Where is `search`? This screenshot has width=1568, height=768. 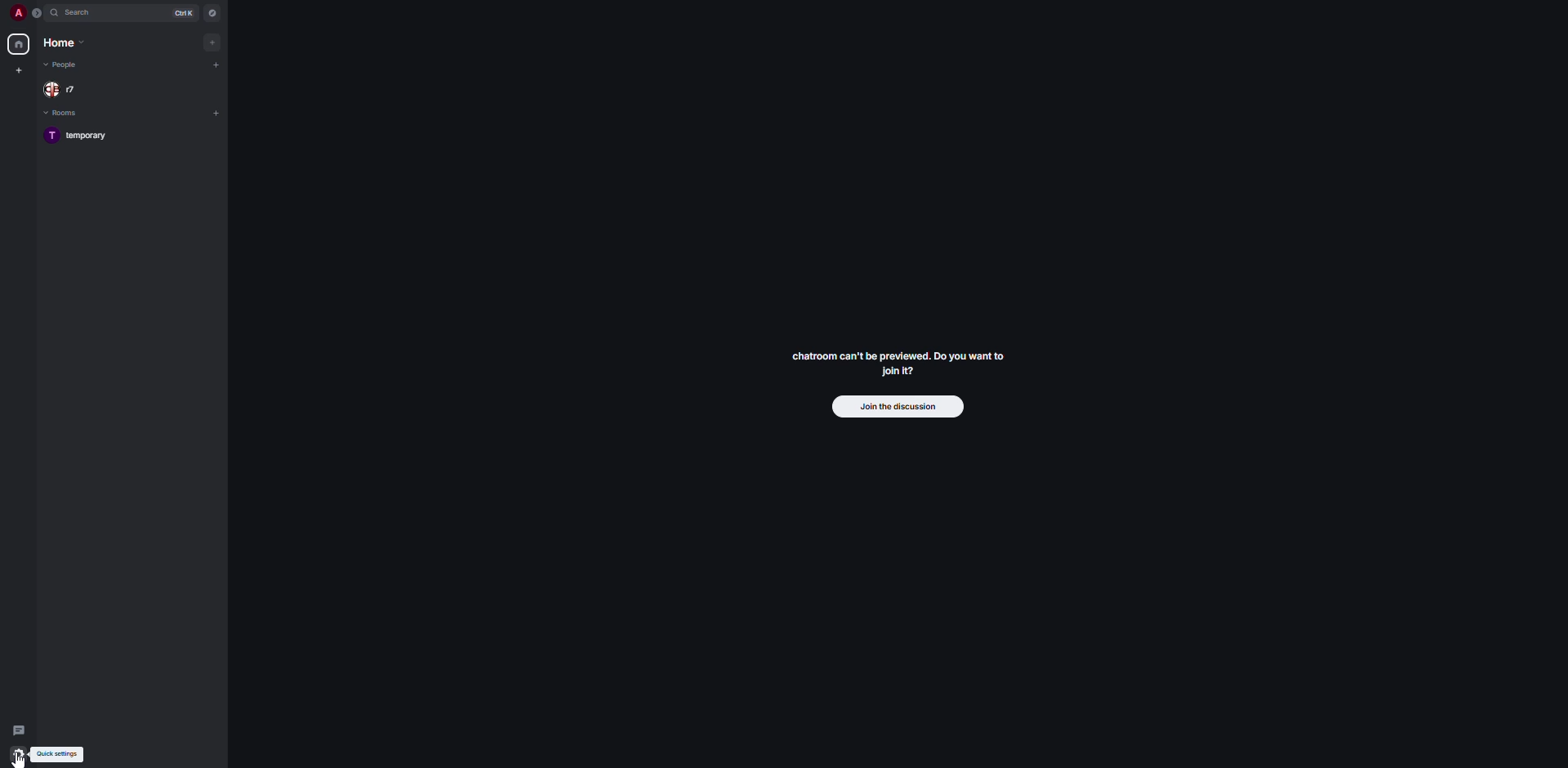 search is located at coordinates (79, 13).